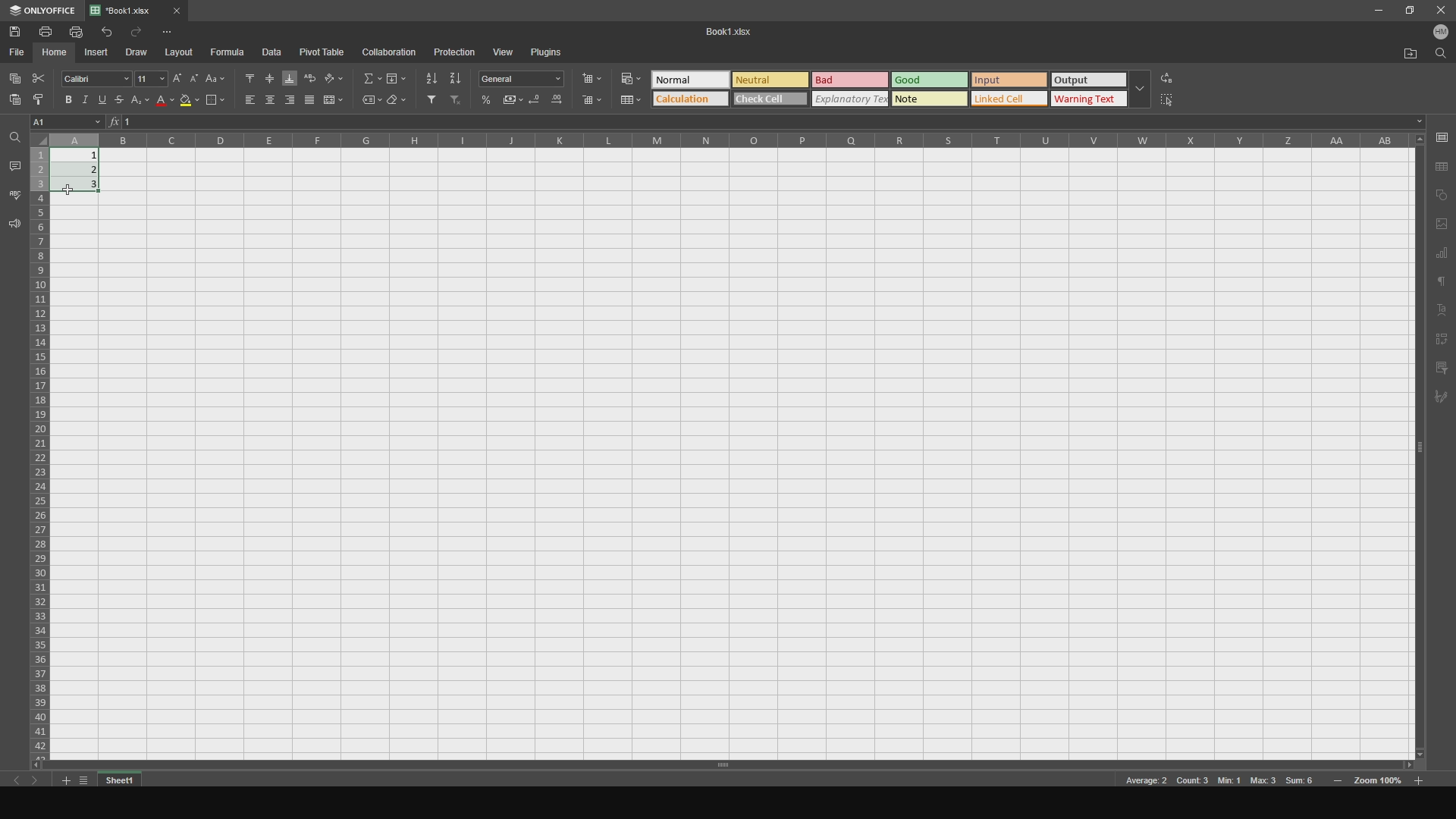  Describe the element at coordinates (1420, 779) in the screenshot. I see `zoom out` at that location.